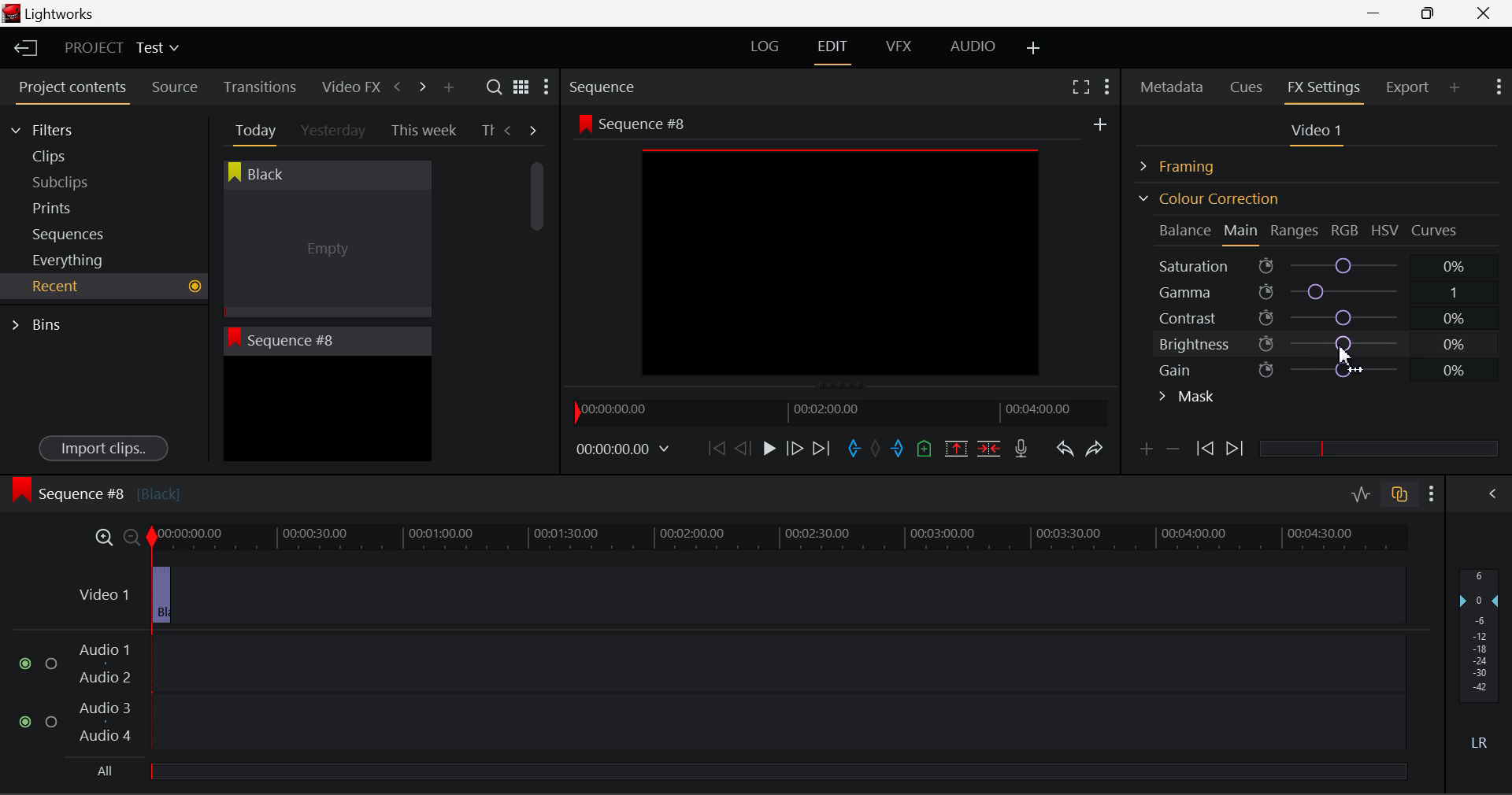  I want to click on Th, so click(487, 131).